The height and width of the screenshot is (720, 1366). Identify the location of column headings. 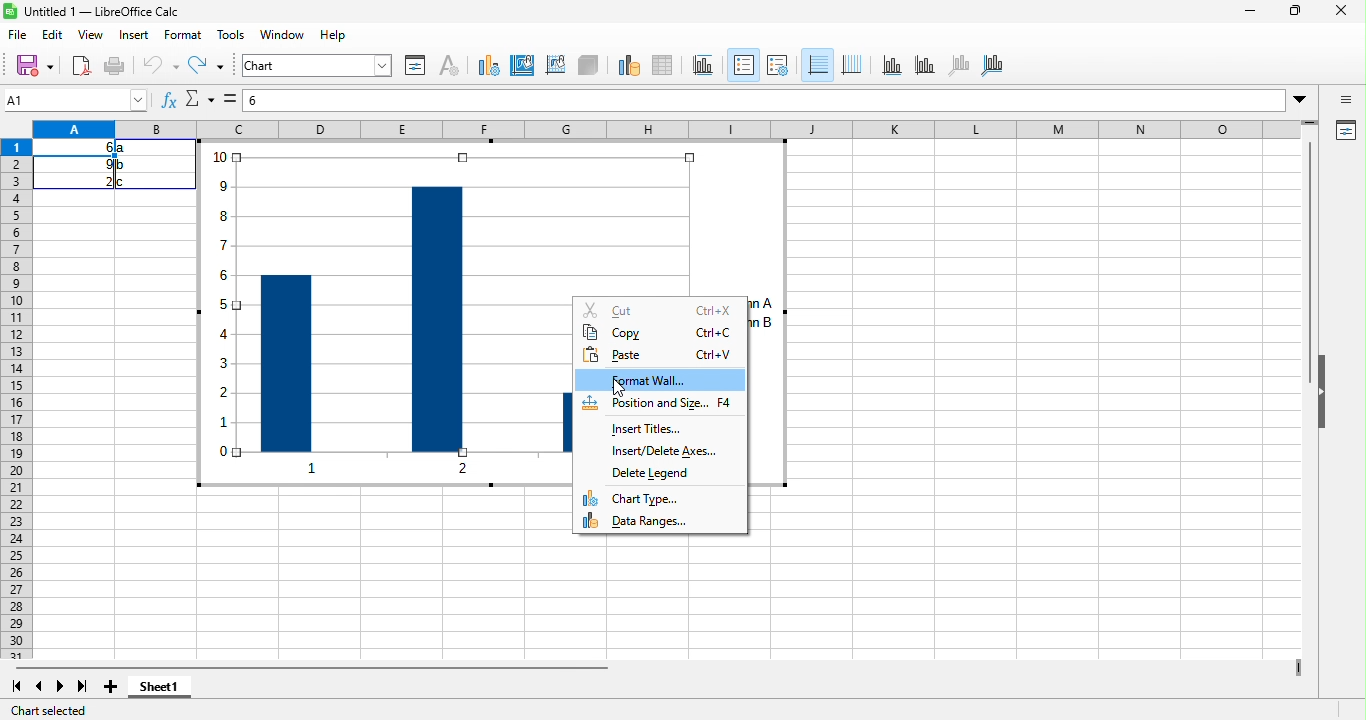
(674, 129).